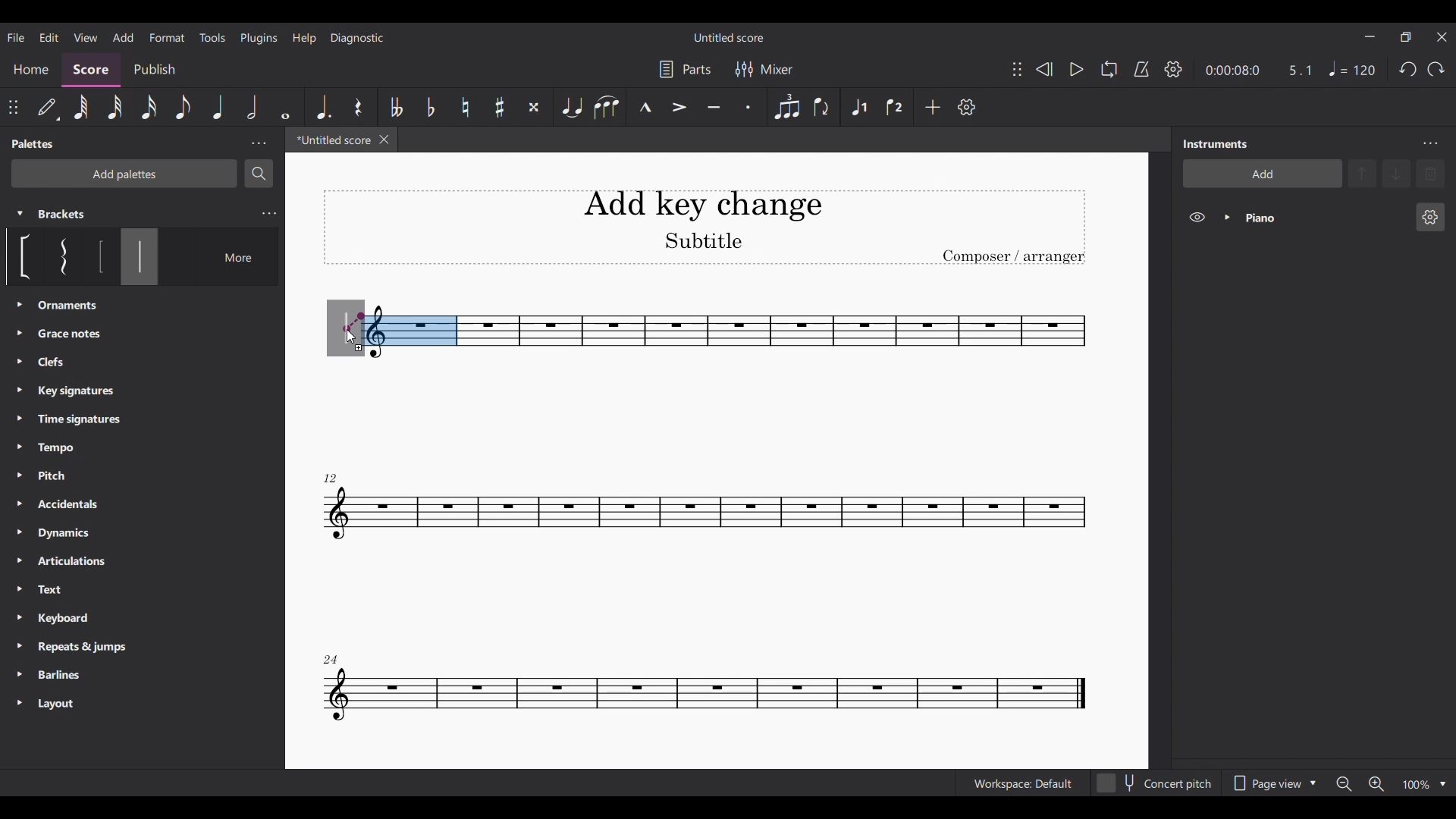  I want to click on Current tab, so click(331, 140).